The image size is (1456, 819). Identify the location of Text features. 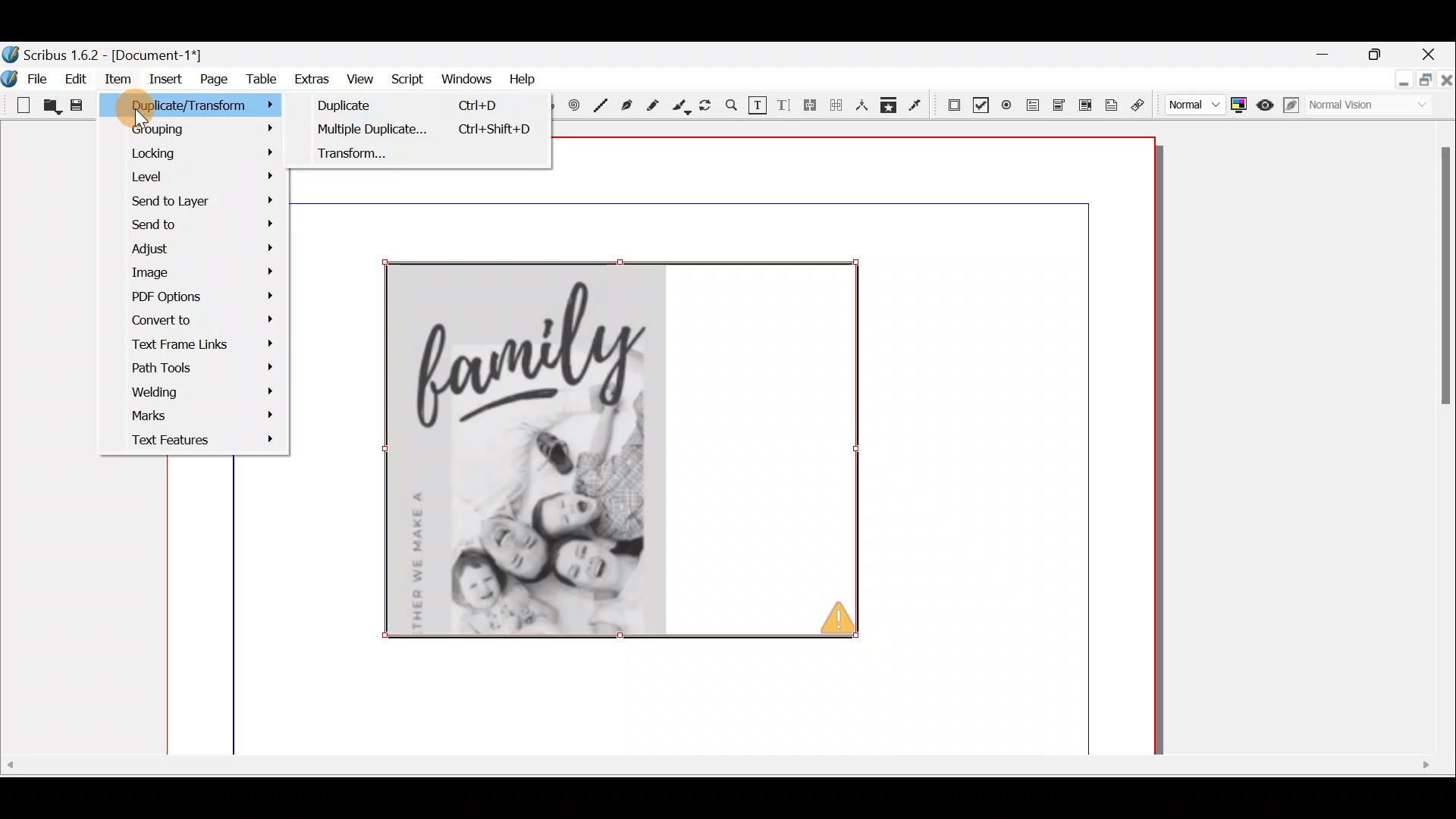
(195, 440).